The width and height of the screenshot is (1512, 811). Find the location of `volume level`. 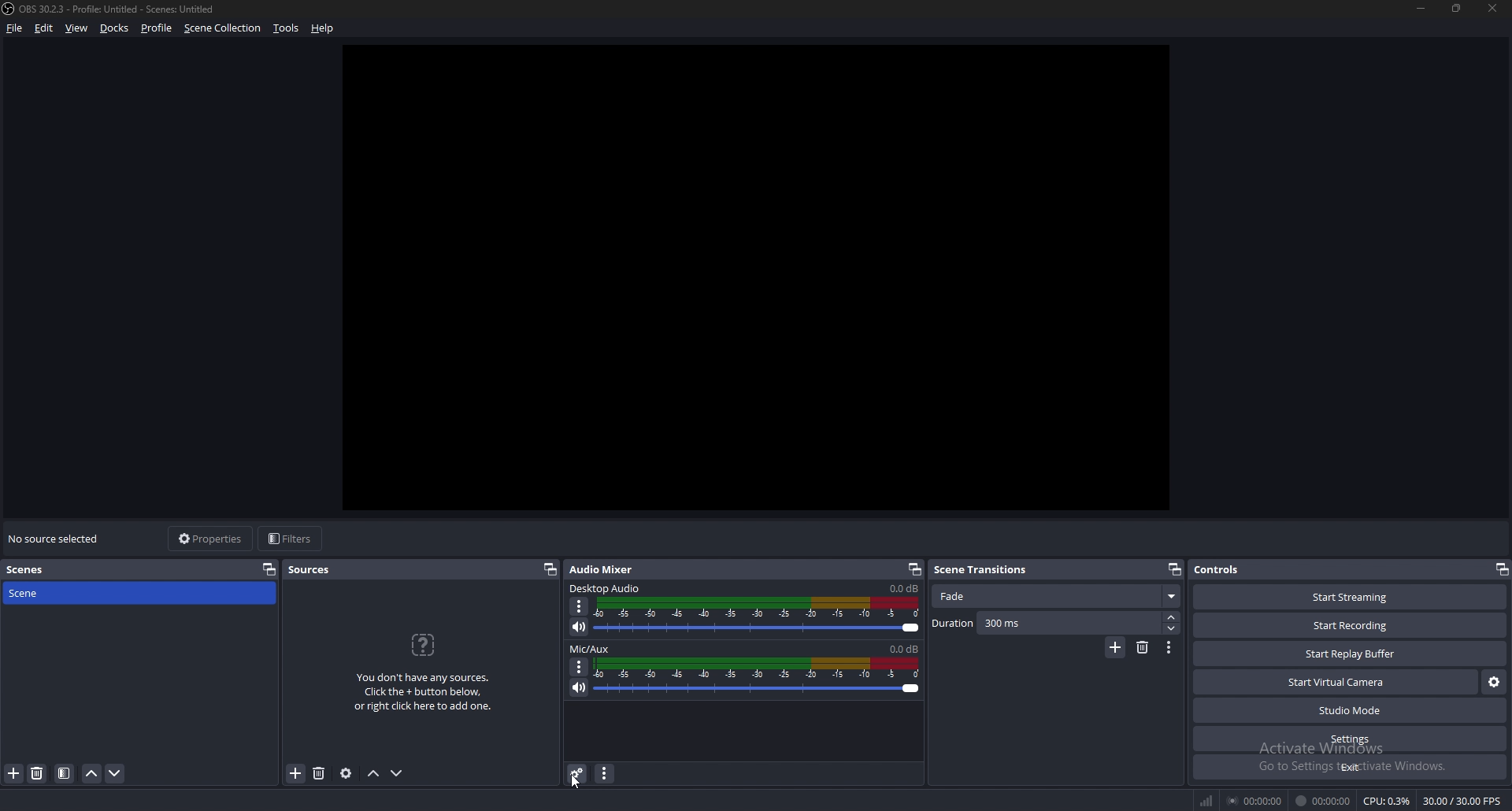

volume level is located at coordinates (905, 648).